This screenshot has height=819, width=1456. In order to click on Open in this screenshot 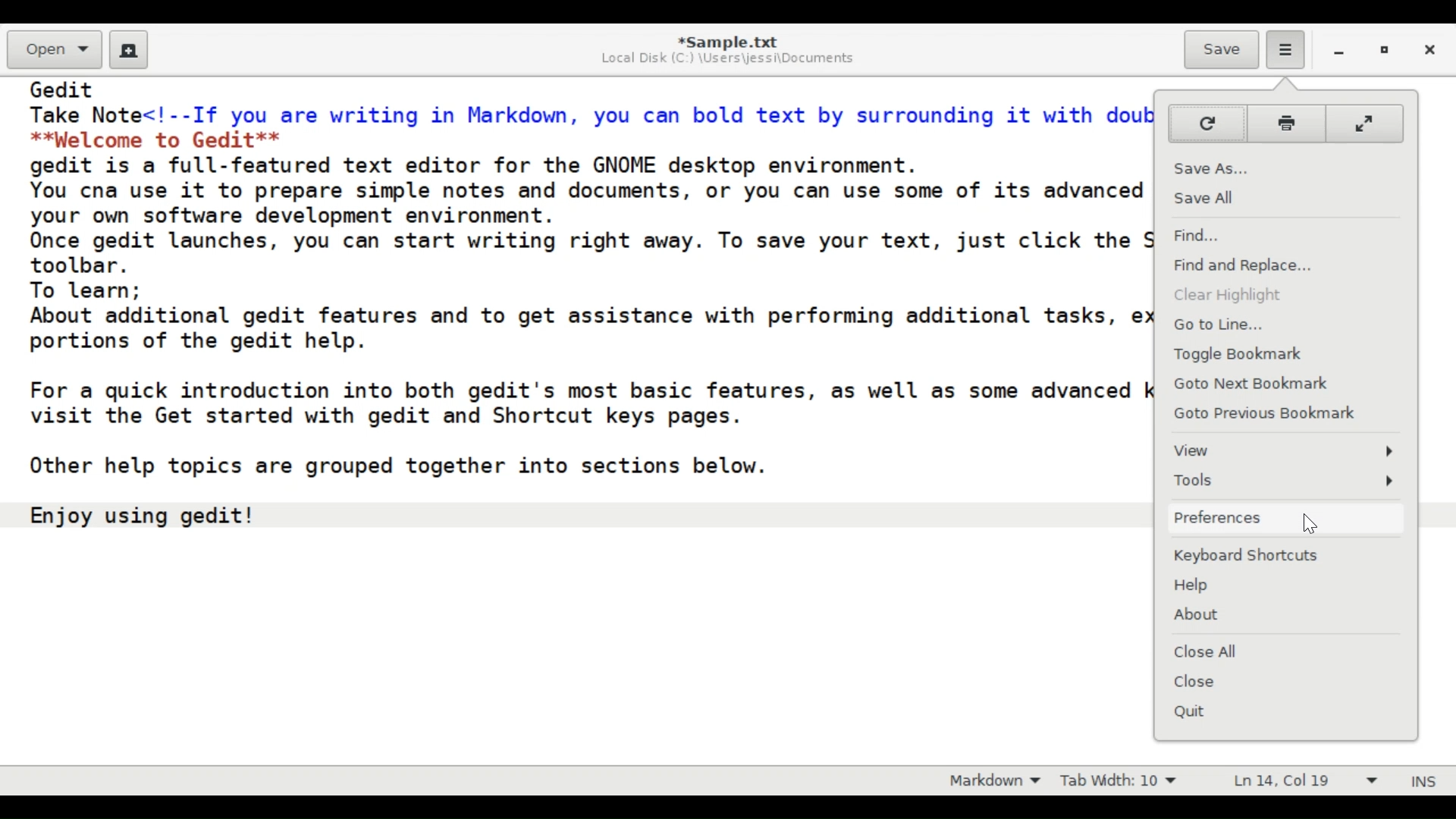, I will do `click(54, 49)`.